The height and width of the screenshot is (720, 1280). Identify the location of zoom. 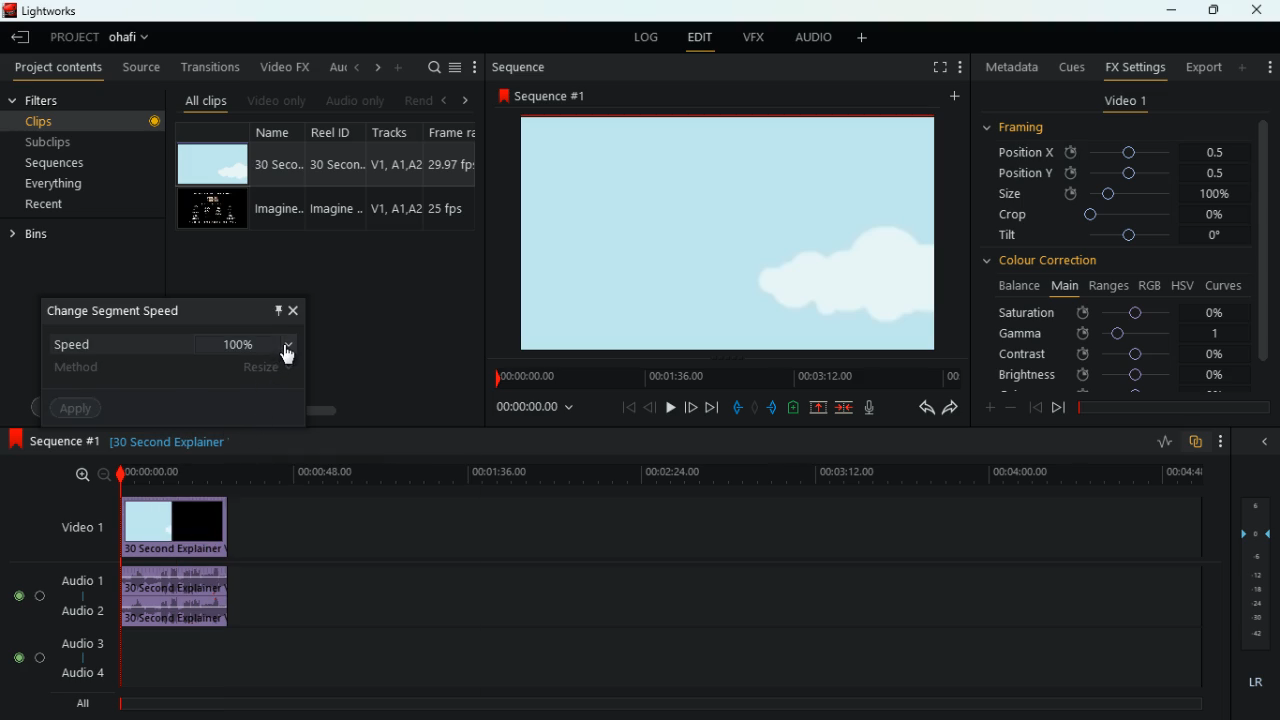
(91, 475).